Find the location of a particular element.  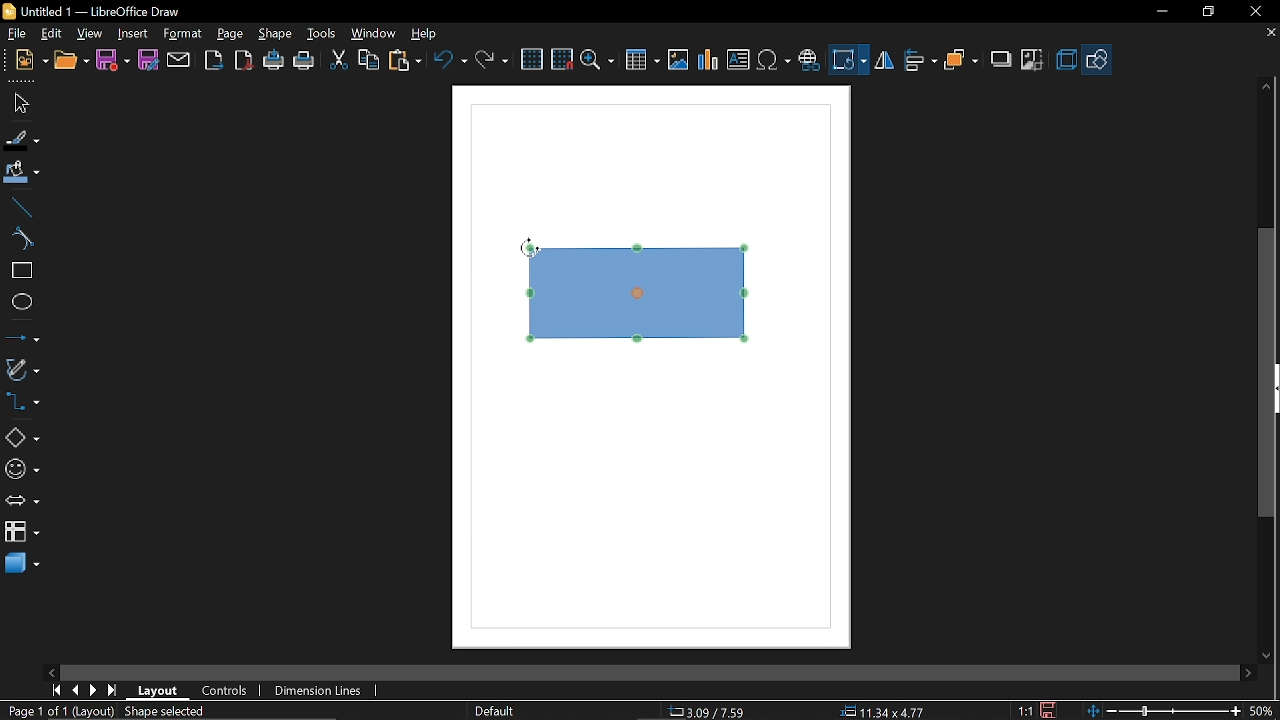

attach is located at coordinates (179, 60).